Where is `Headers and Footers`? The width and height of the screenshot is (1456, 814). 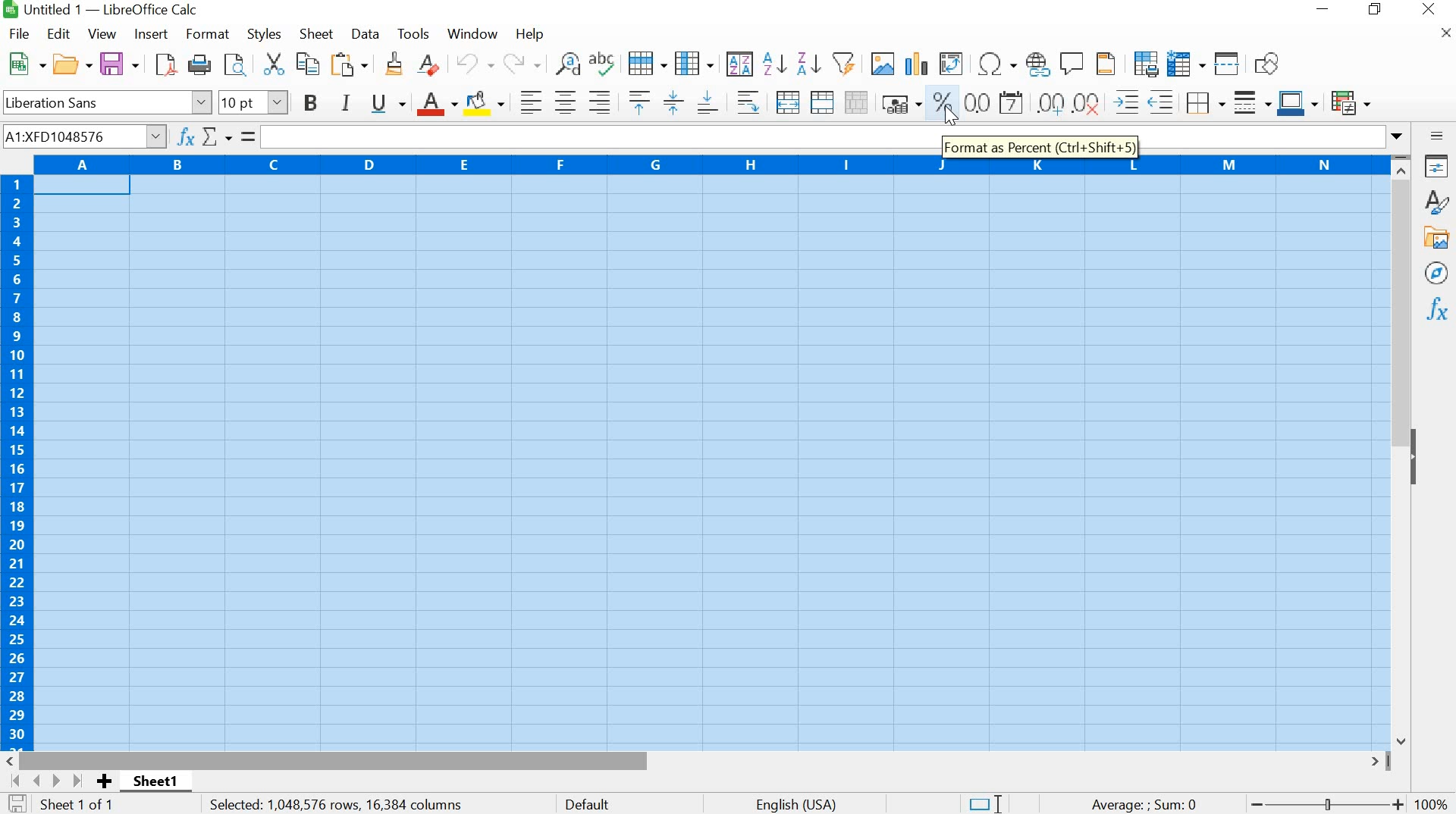
Headers and Footers is located at coordinates (1109, 64).